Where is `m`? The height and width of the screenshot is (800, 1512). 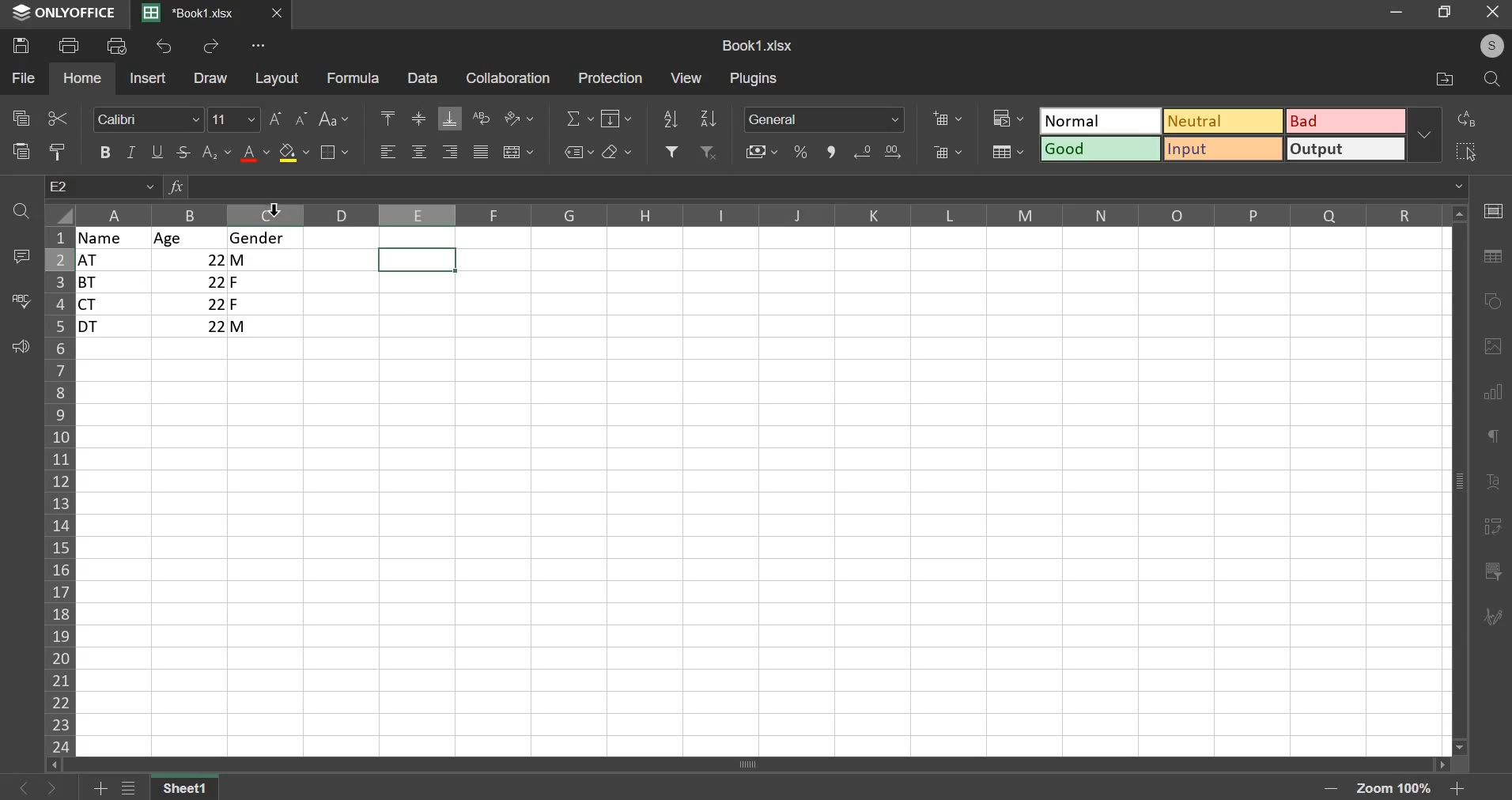 m is located at coordinates (265, 259).